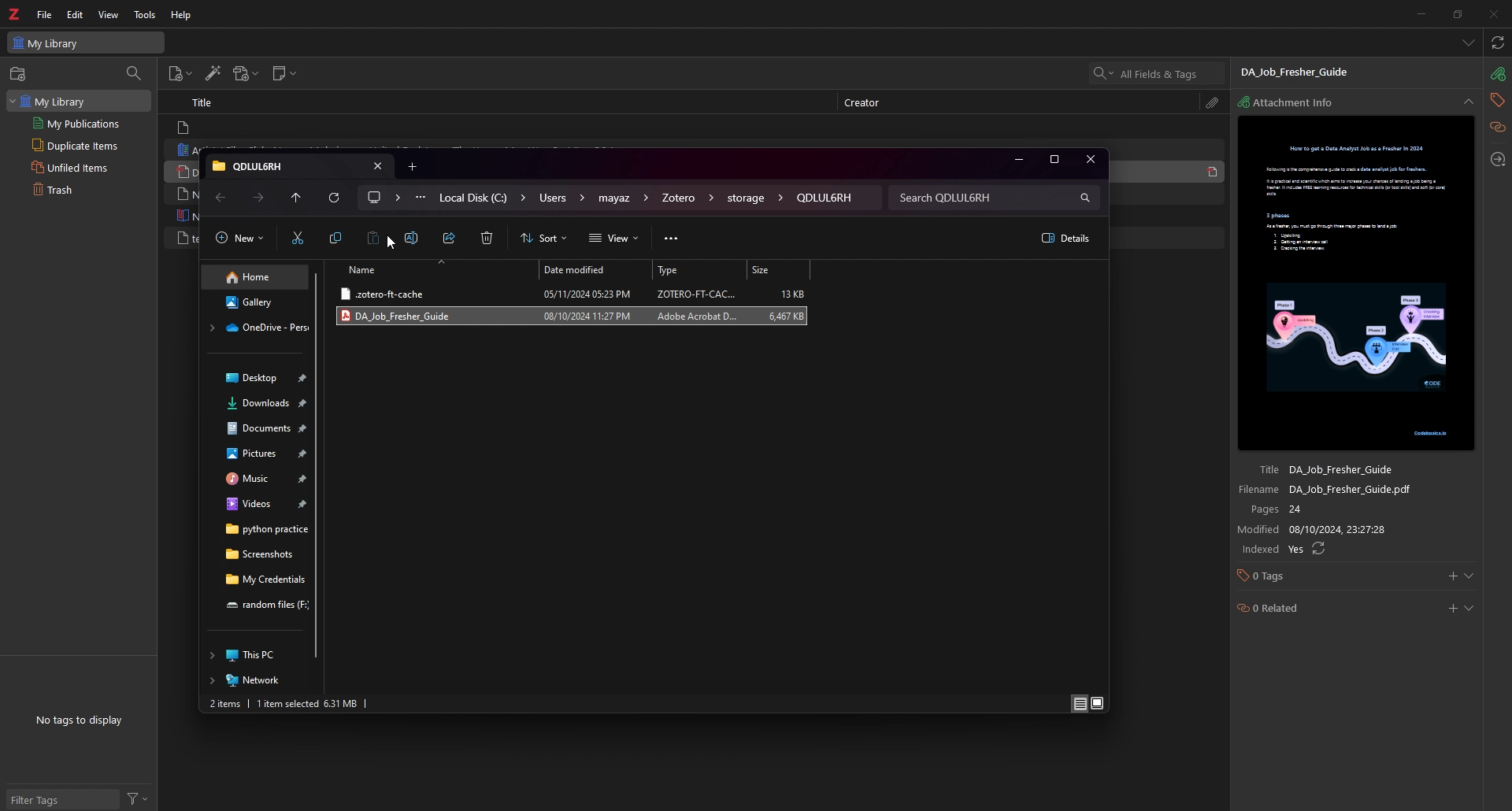  Describe the element at coordinates (392, 244) in the screenshot. I see `Cursor` at that location.